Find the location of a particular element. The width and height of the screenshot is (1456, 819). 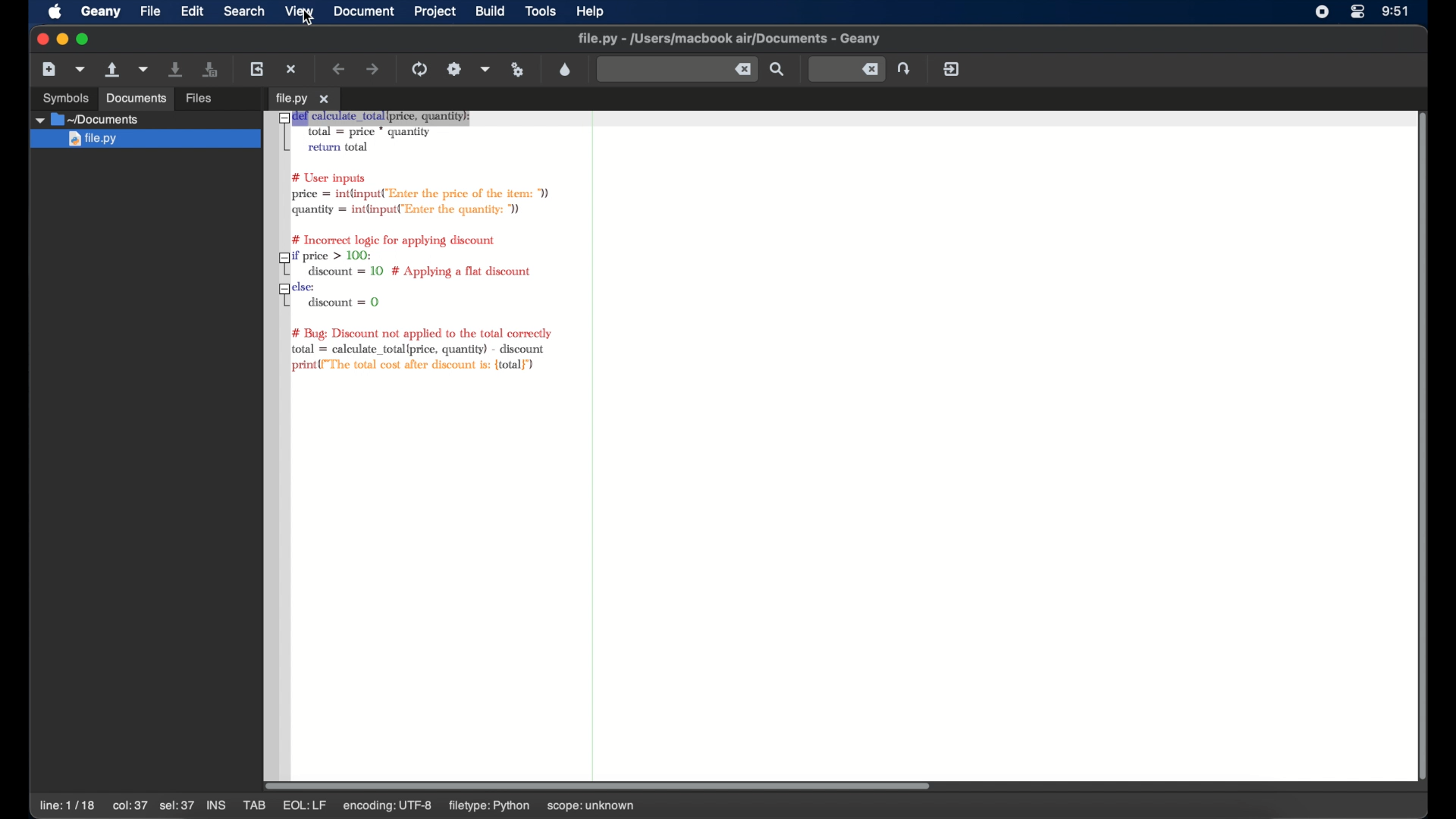

save all open files is located at coordinates (209, 70).